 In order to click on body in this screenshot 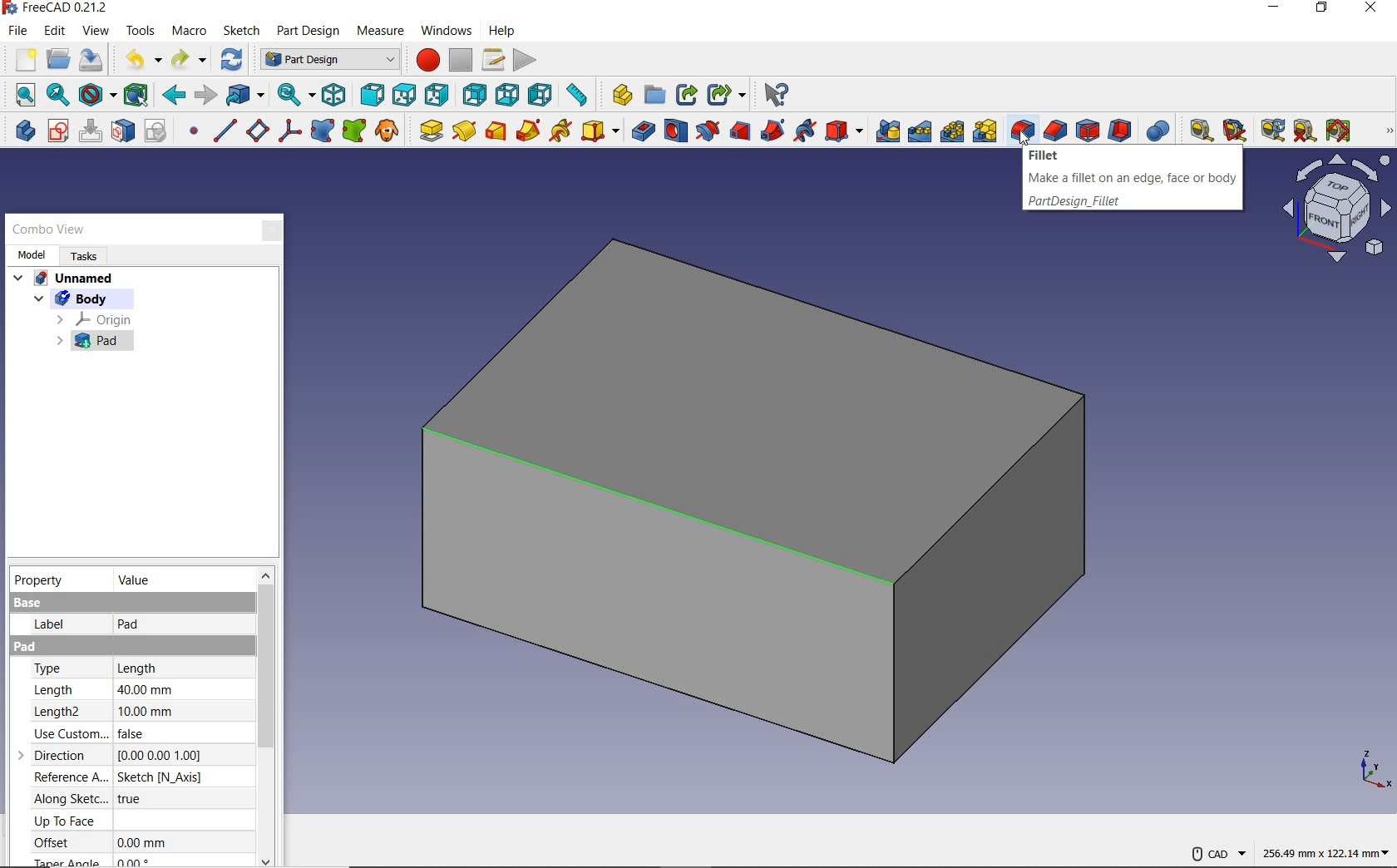, I will do `click(67, 298)`.